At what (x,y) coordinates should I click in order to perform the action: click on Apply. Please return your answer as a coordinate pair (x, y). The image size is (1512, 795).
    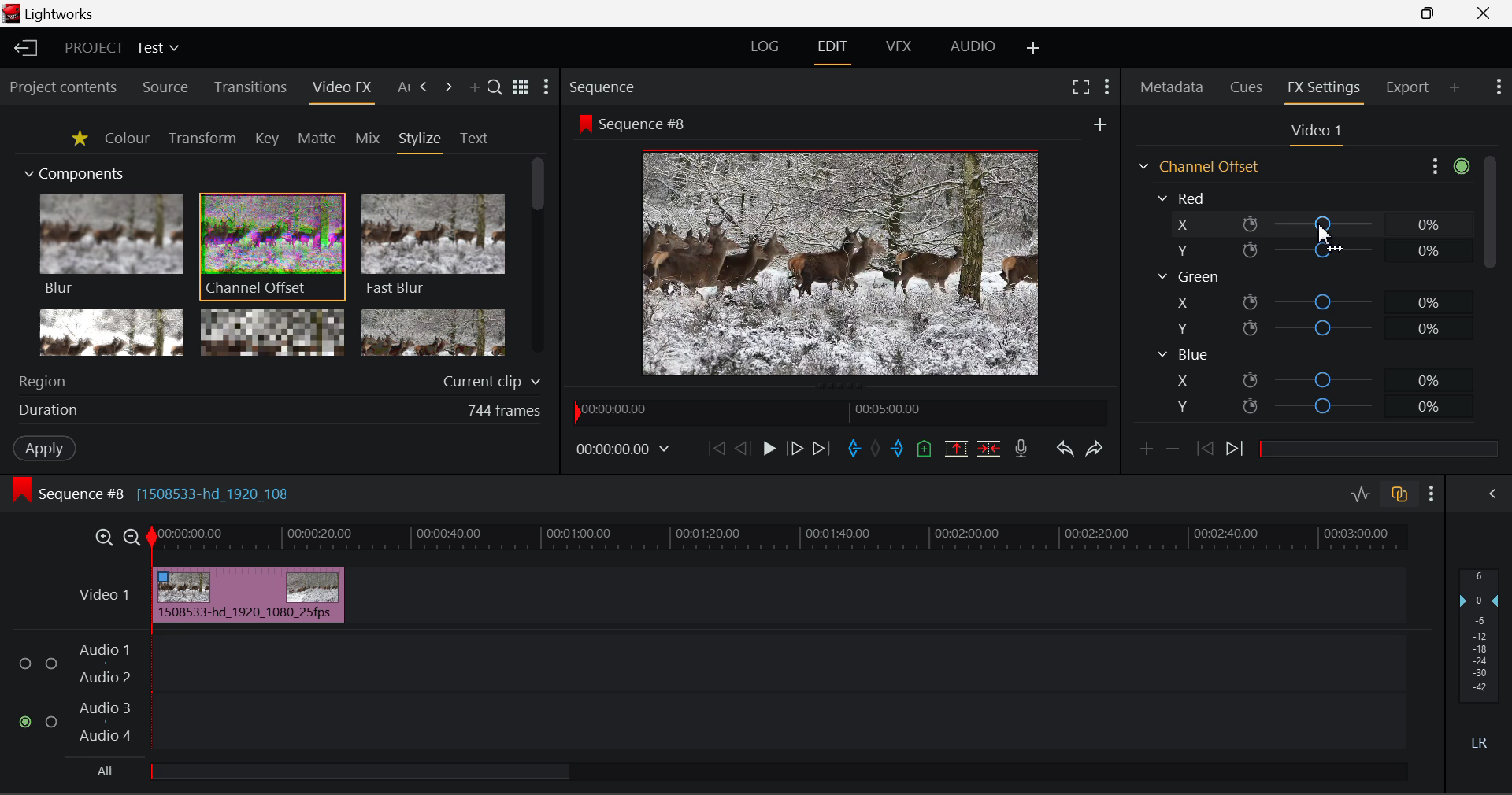
    Looking at the image, I should click on (46, 449).